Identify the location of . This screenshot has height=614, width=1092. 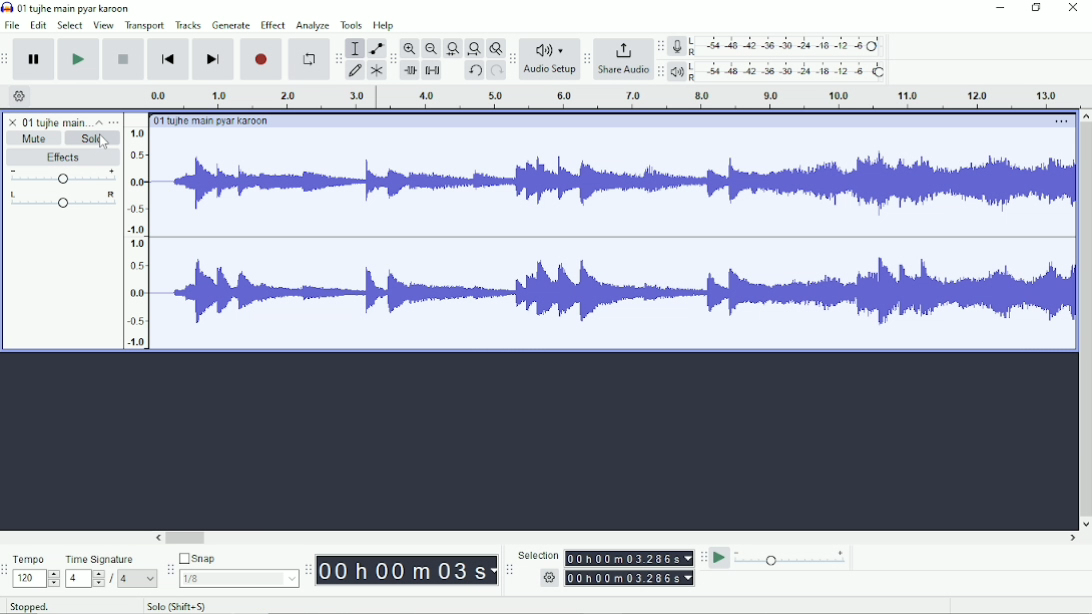
(112, 578).